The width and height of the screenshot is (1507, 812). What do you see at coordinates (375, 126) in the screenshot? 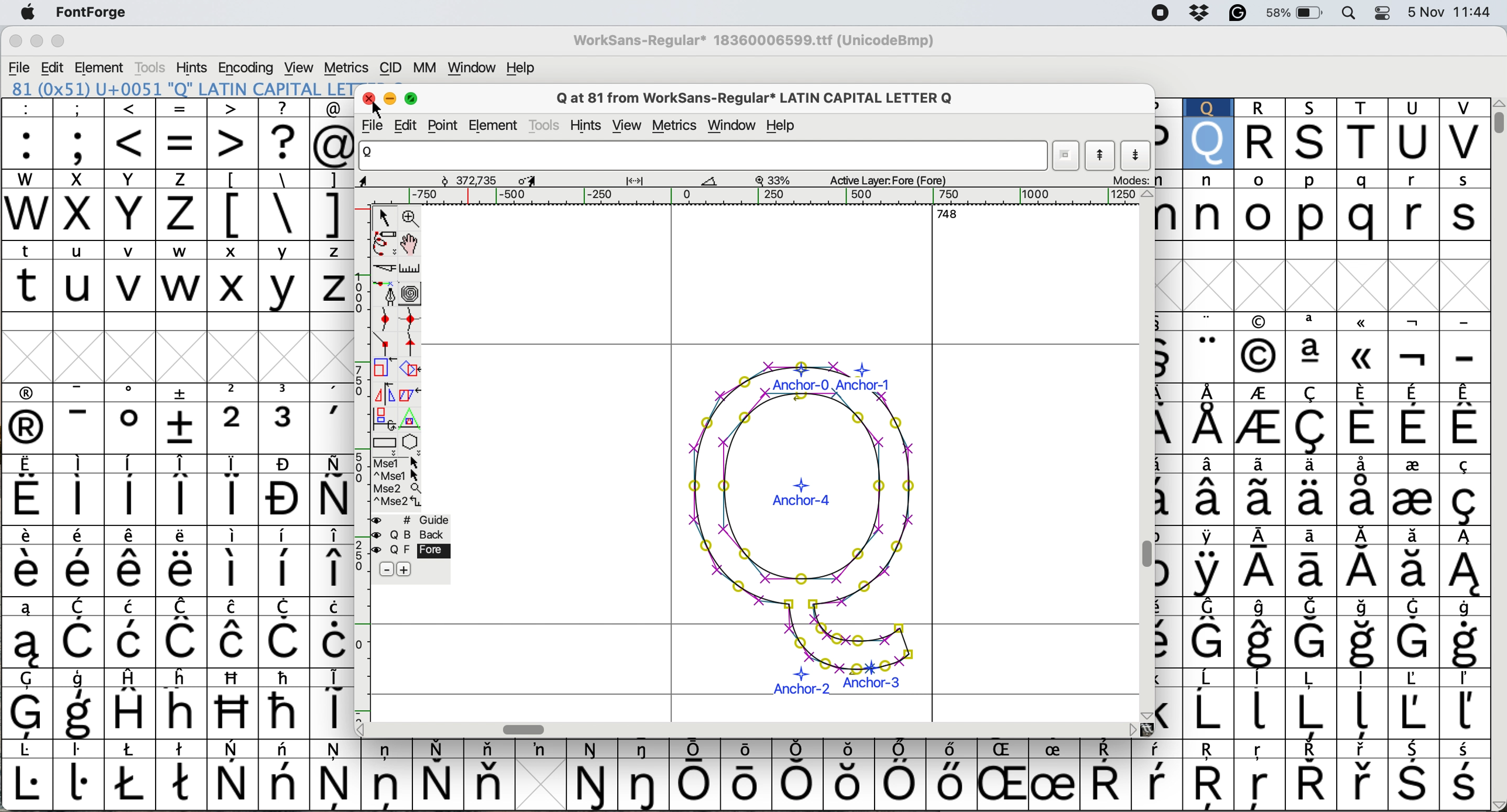
I see `file` at bounding box center [375, 126].